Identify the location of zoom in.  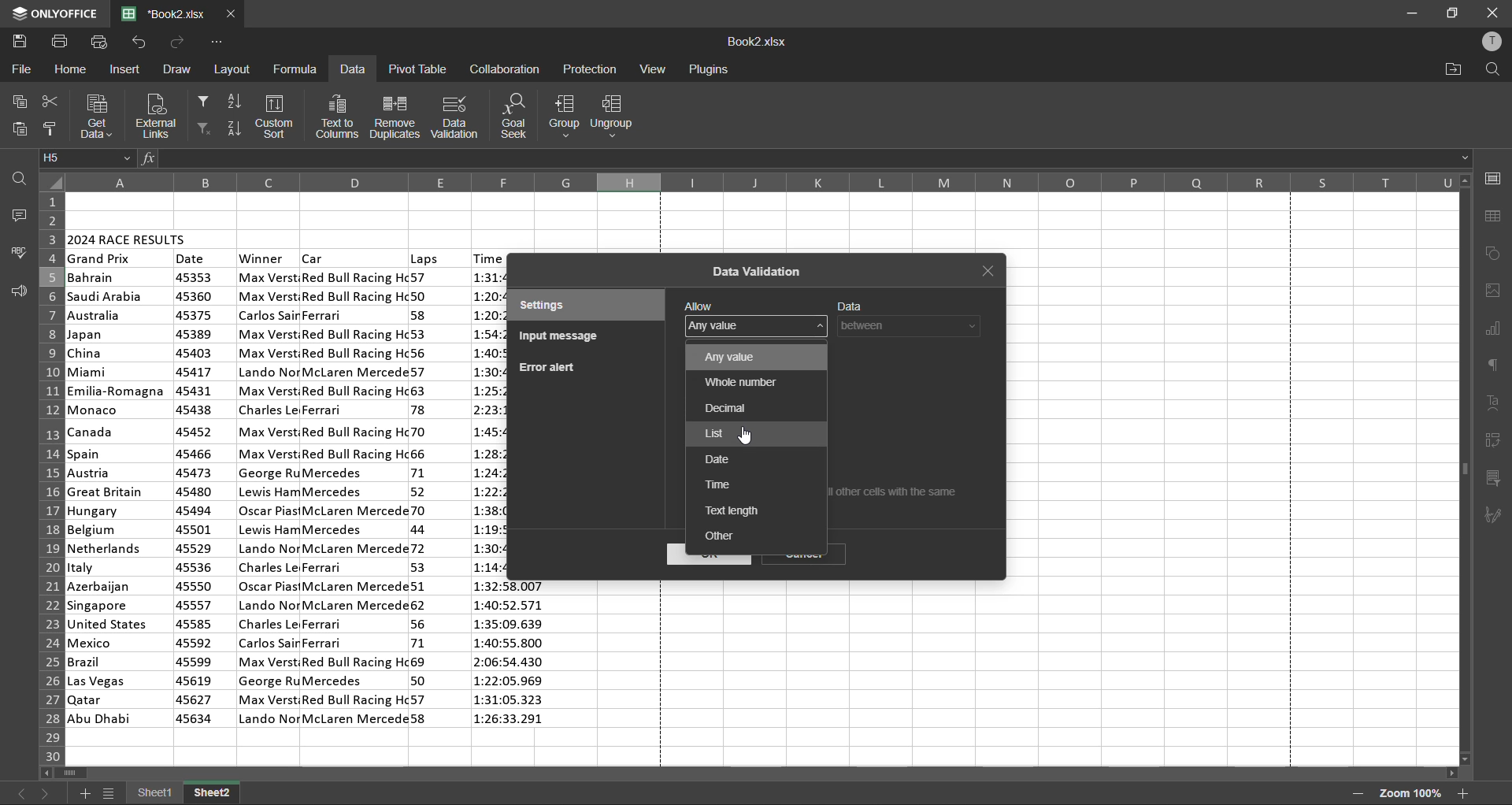
(1463, 793).